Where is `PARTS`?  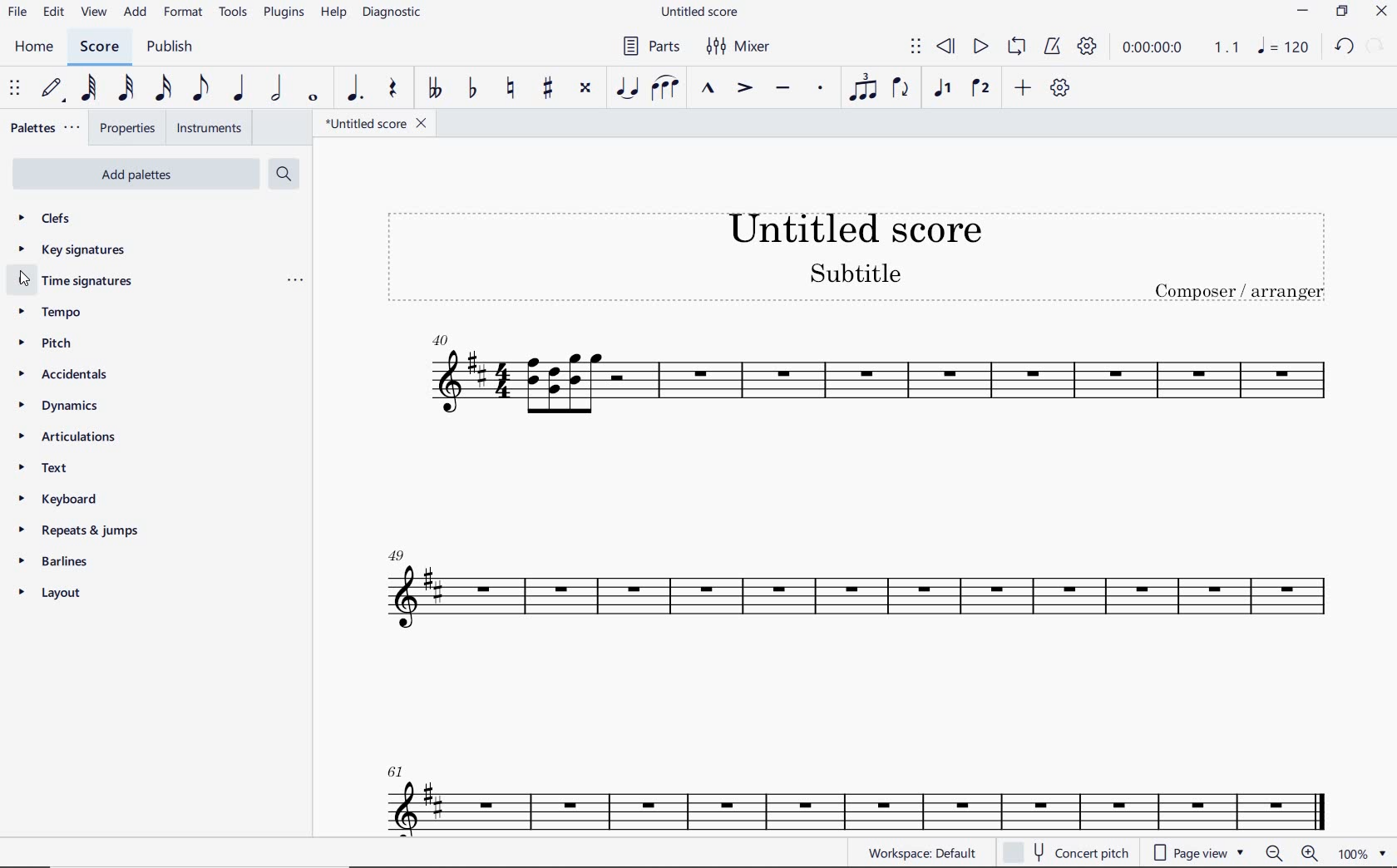
PARTS is located at coordinates (650, 46).